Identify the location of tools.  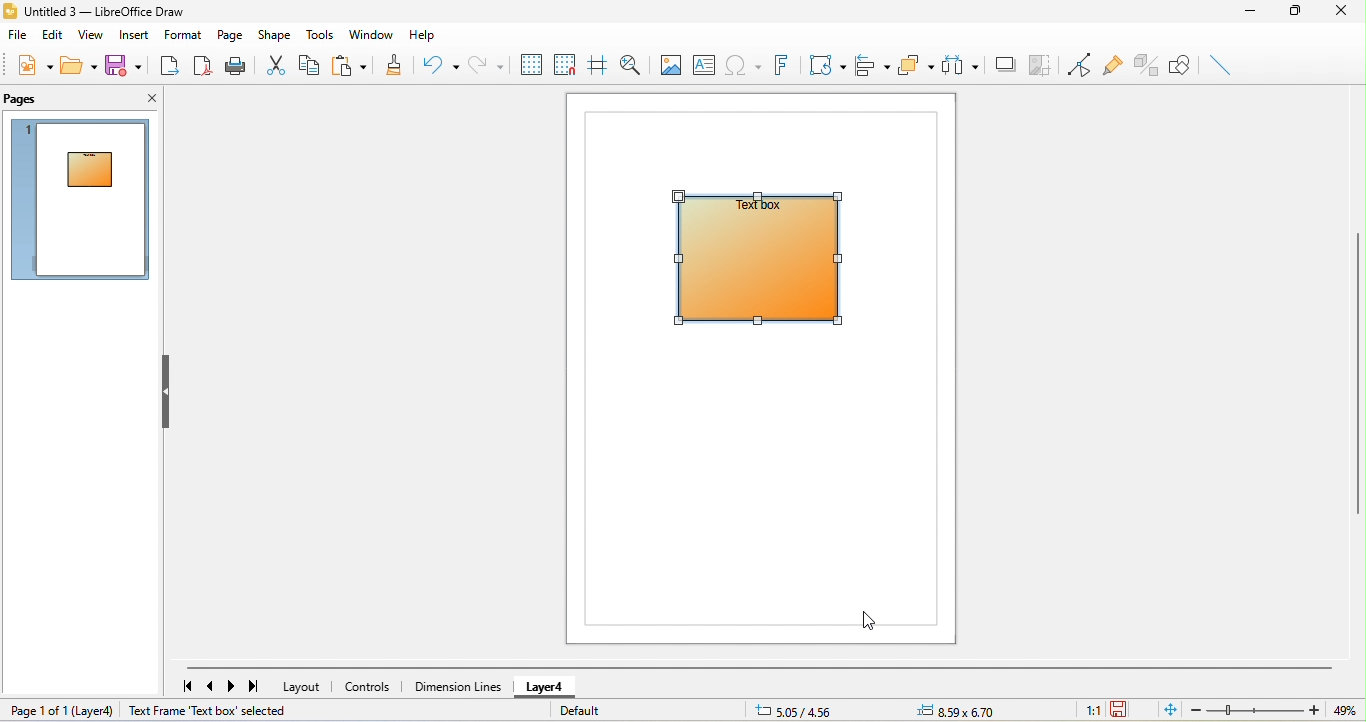
(323, 36).